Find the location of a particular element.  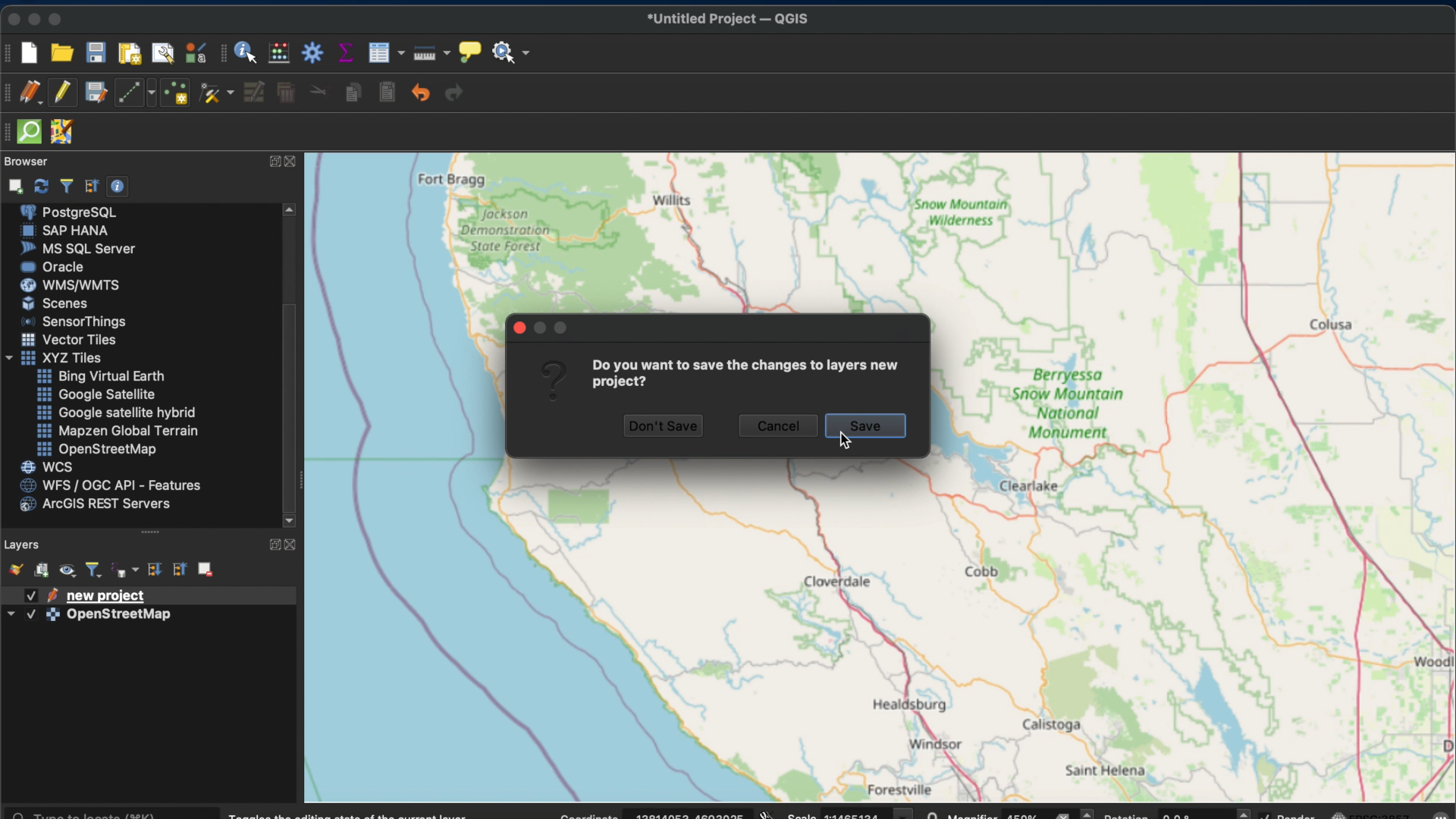

sensor. things is located at coordinates (69, 321).